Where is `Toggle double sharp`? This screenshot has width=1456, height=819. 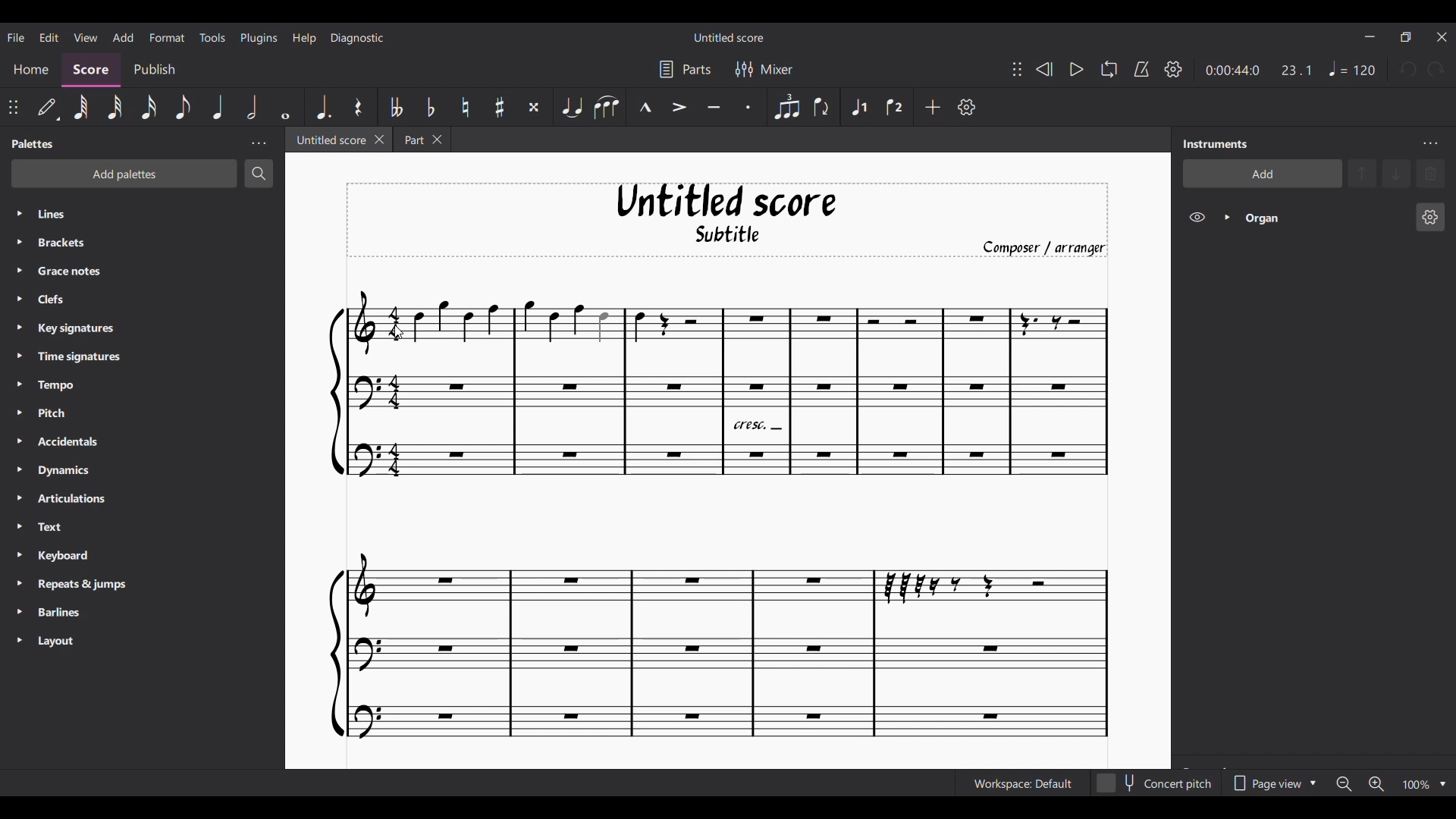 Toggle double sharp is located at coordinates (535, 107).